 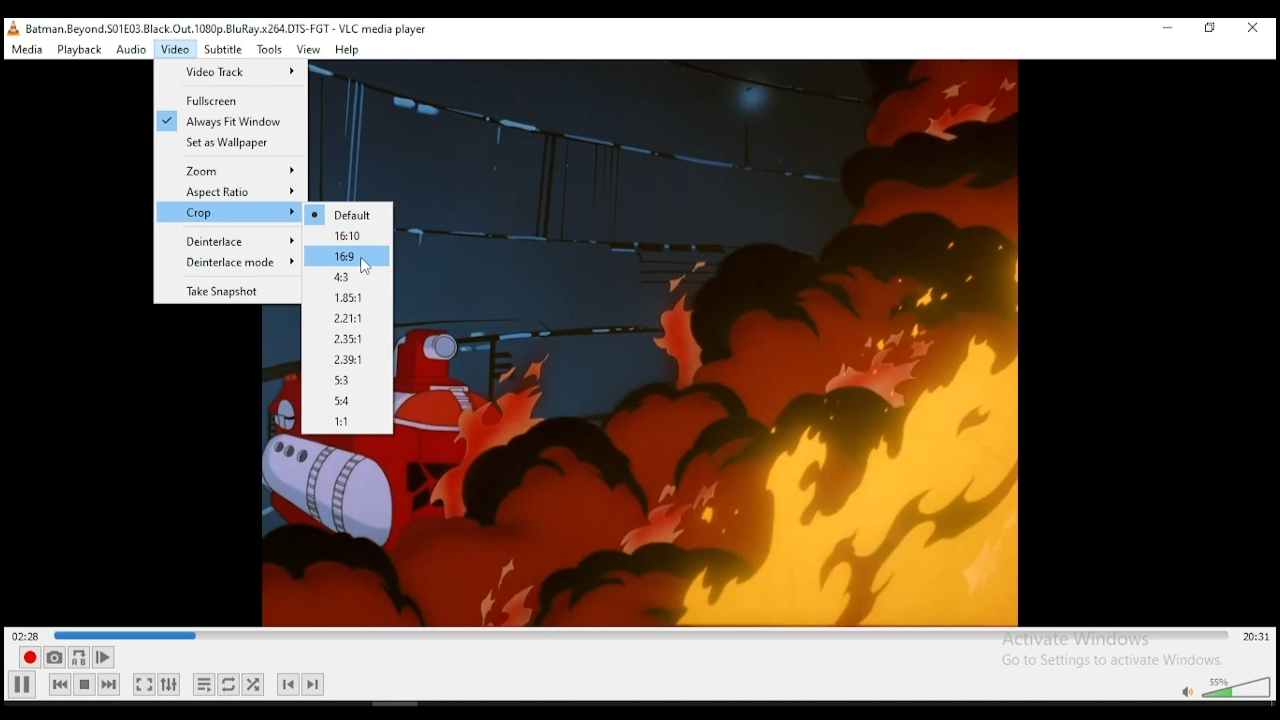 What do you see at coordinates (288, 684) in the screenshot?
I see `previous chapter` at bounding box center [288, 684].